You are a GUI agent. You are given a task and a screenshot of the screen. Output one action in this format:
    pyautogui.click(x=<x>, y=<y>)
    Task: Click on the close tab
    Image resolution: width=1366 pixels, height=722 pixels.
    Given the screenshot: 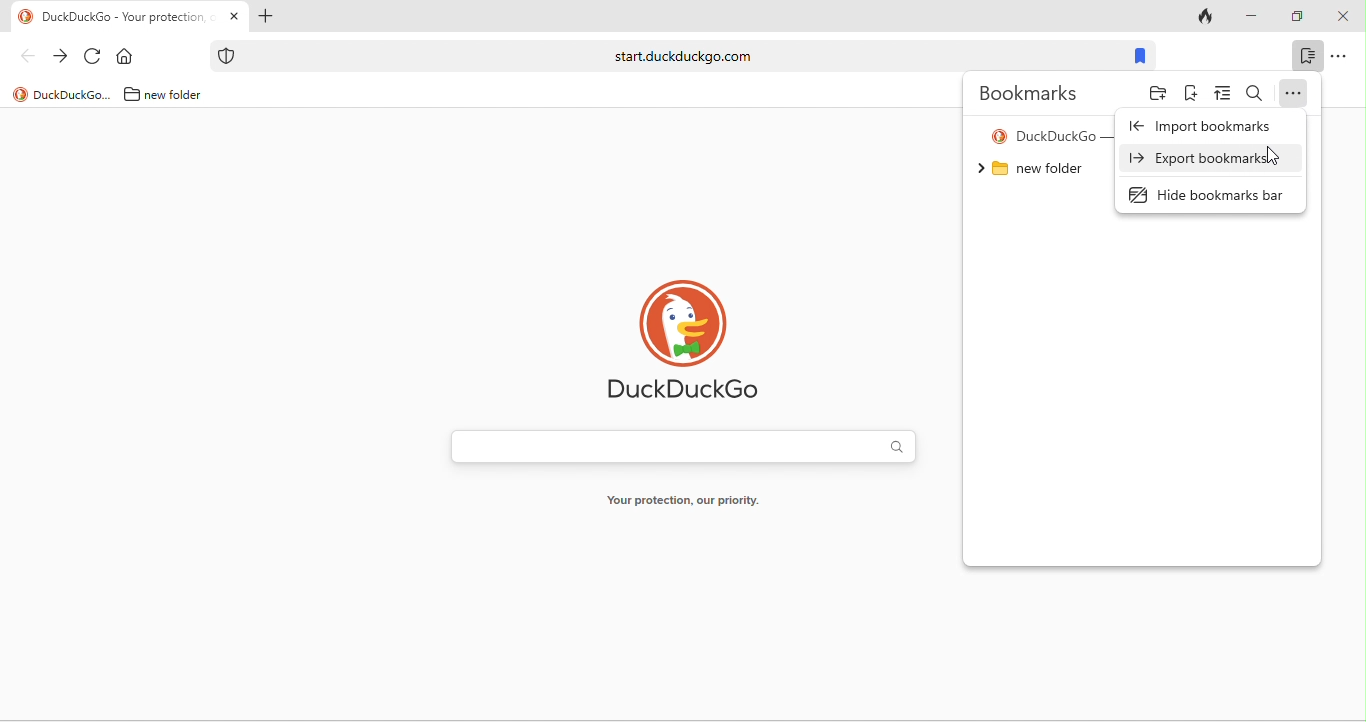 What is the action you would take?
    pyautogui.click(x=234, y=15)
    